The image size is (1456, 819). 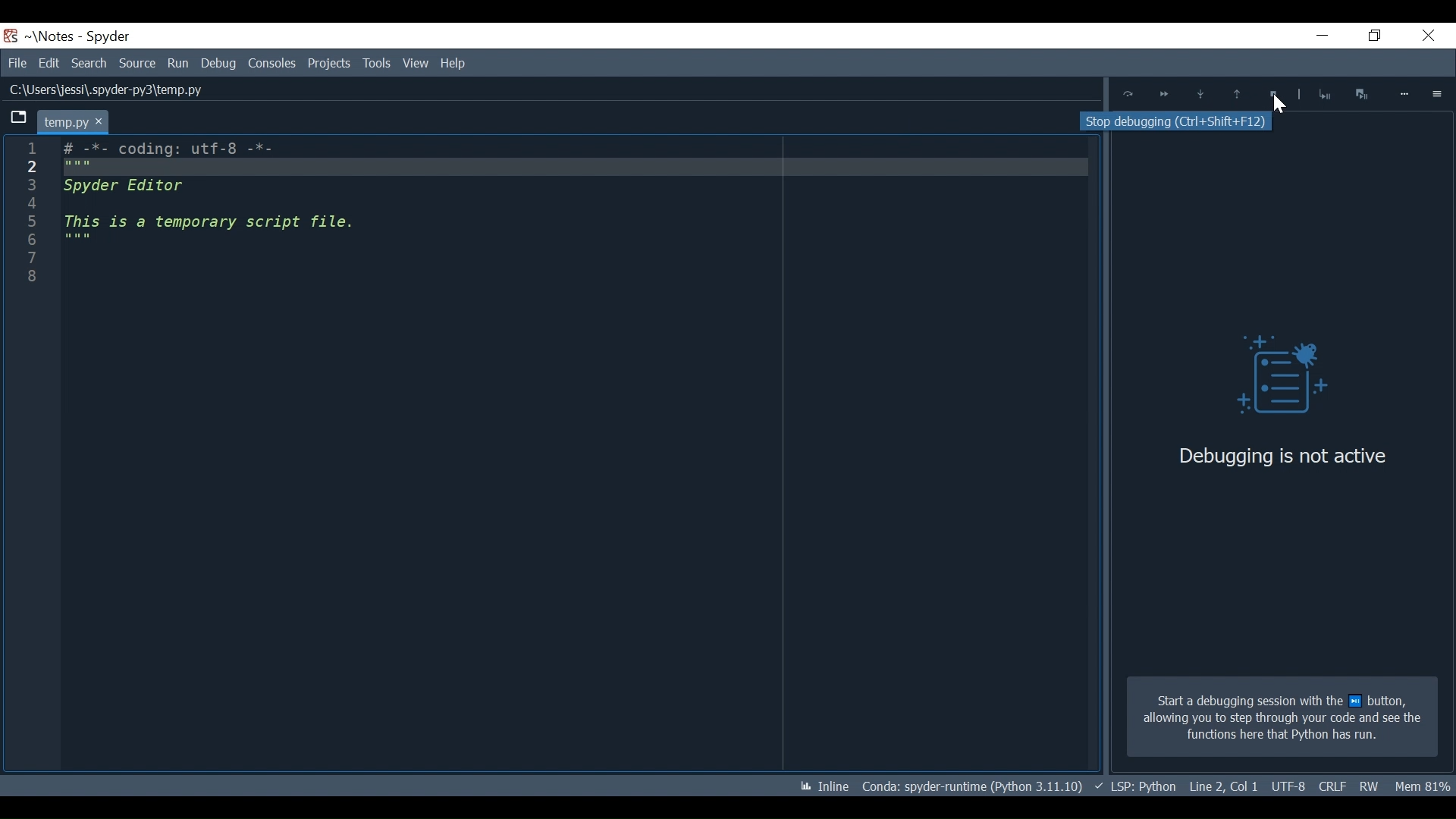 I want to click on Start a debugging session with the next button allowing you to step through your code and see the functions here that Python has run, so click(x=1282, y=717).